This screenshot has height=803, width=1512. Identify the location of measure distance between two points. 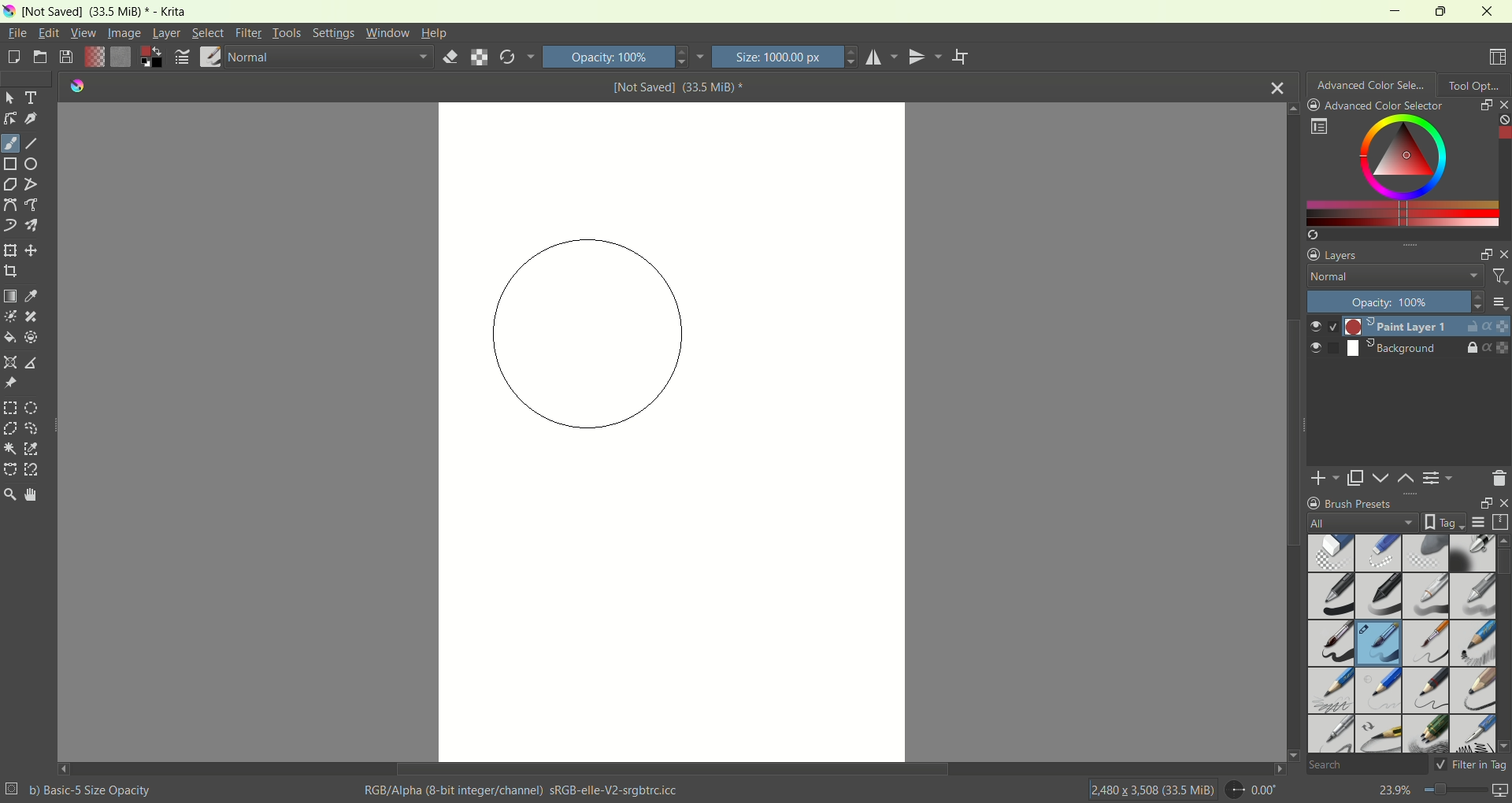
(34, 363).